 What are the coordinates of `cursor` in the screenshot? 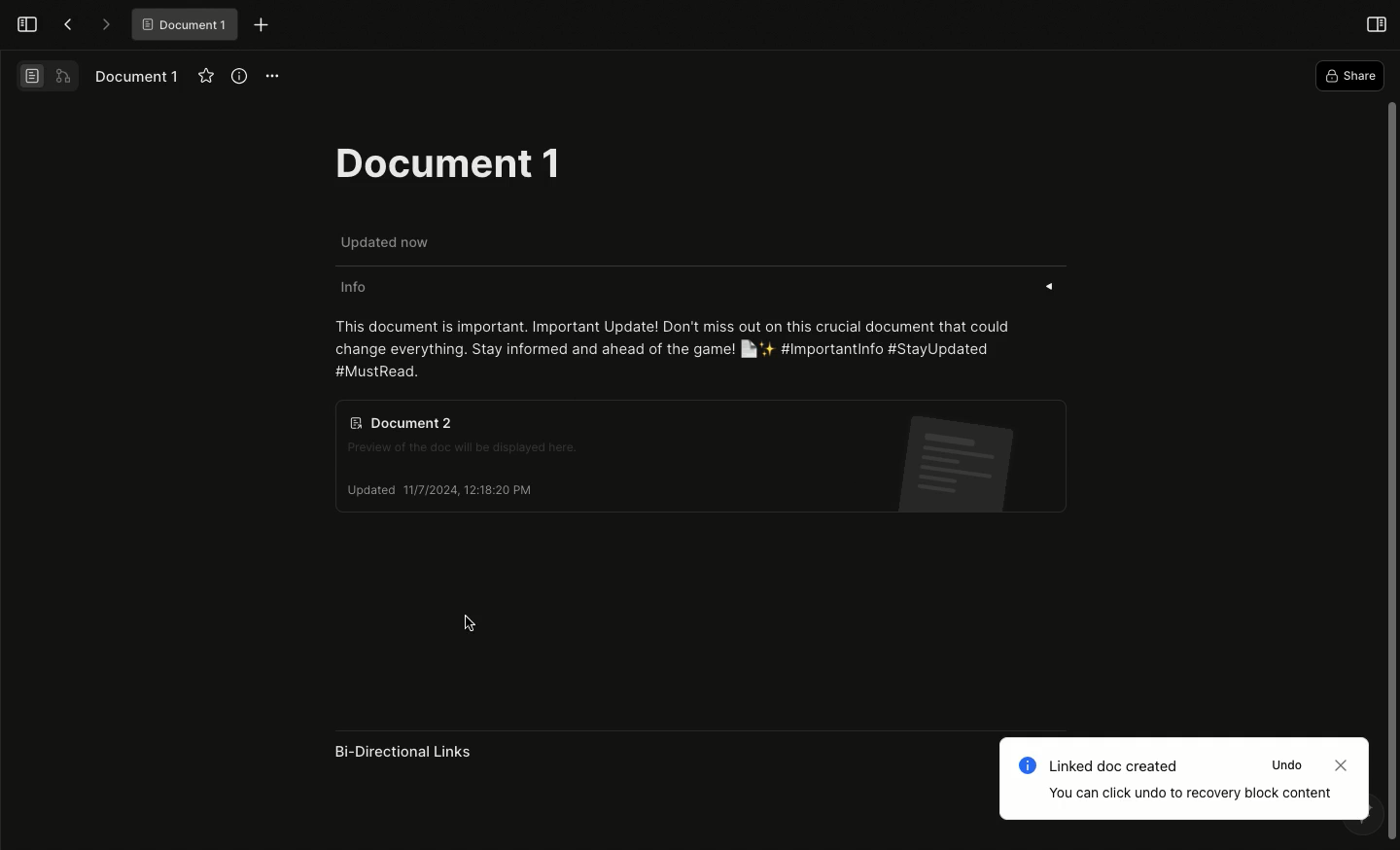 It's located at (463, 625).